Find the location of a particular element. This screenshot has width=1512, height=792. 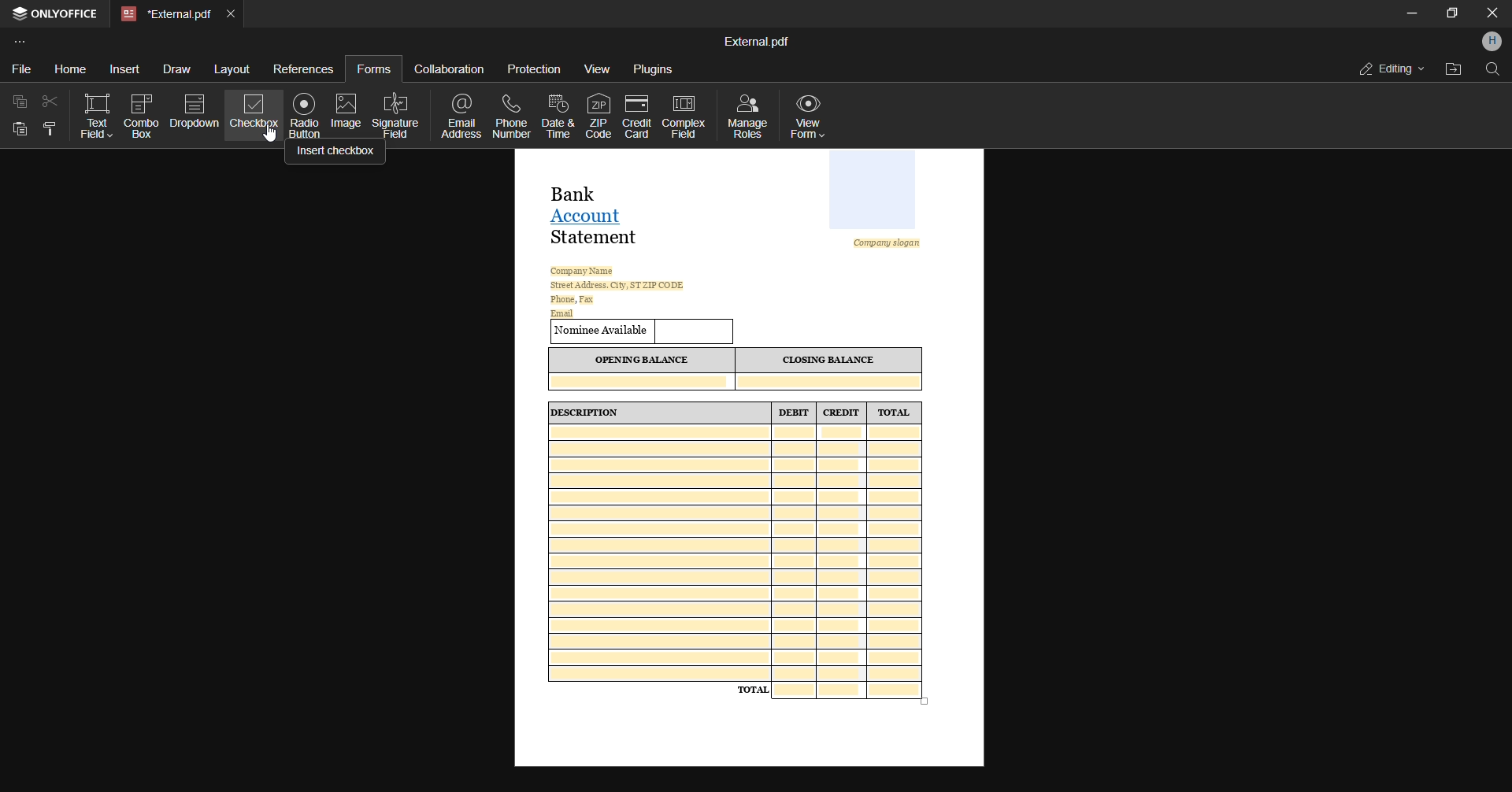

phone number is located at coordinates (513, 116).